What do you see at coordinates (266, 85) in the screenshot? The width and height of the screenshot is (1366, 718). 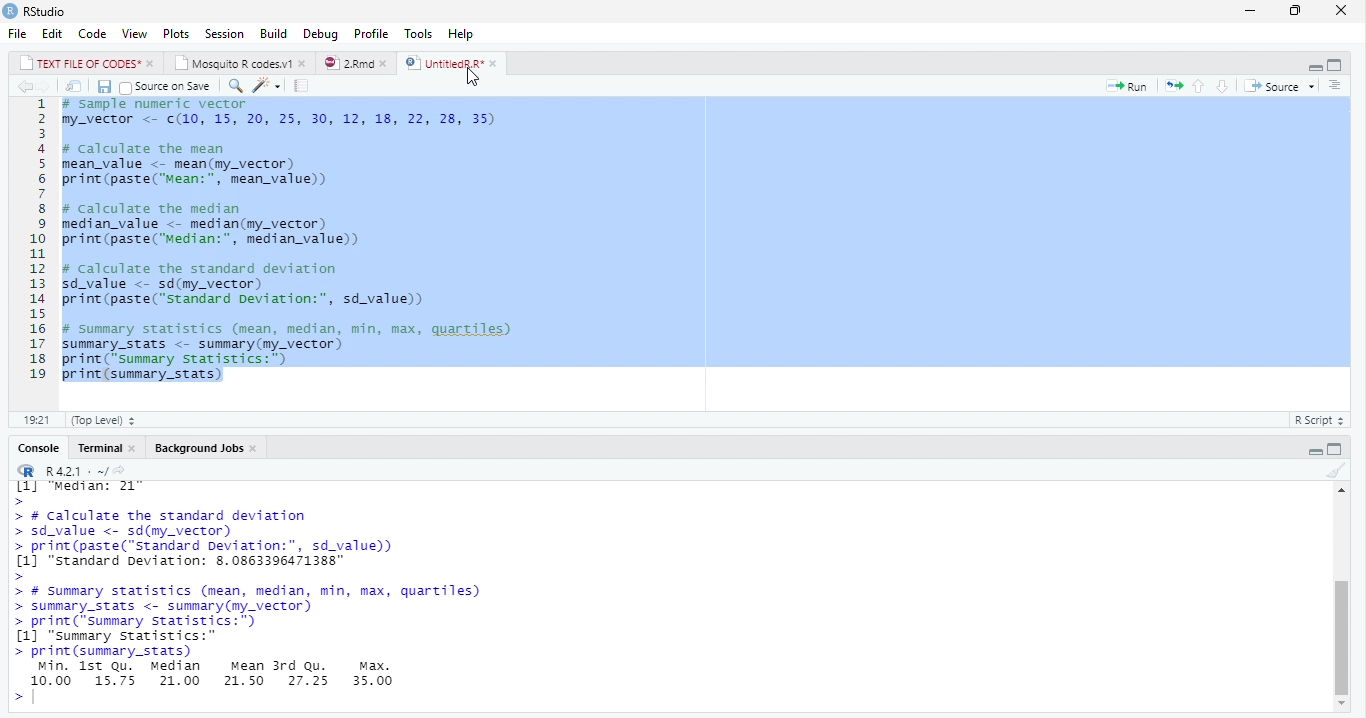 I see `code tools` at bounding box center [266, 85].